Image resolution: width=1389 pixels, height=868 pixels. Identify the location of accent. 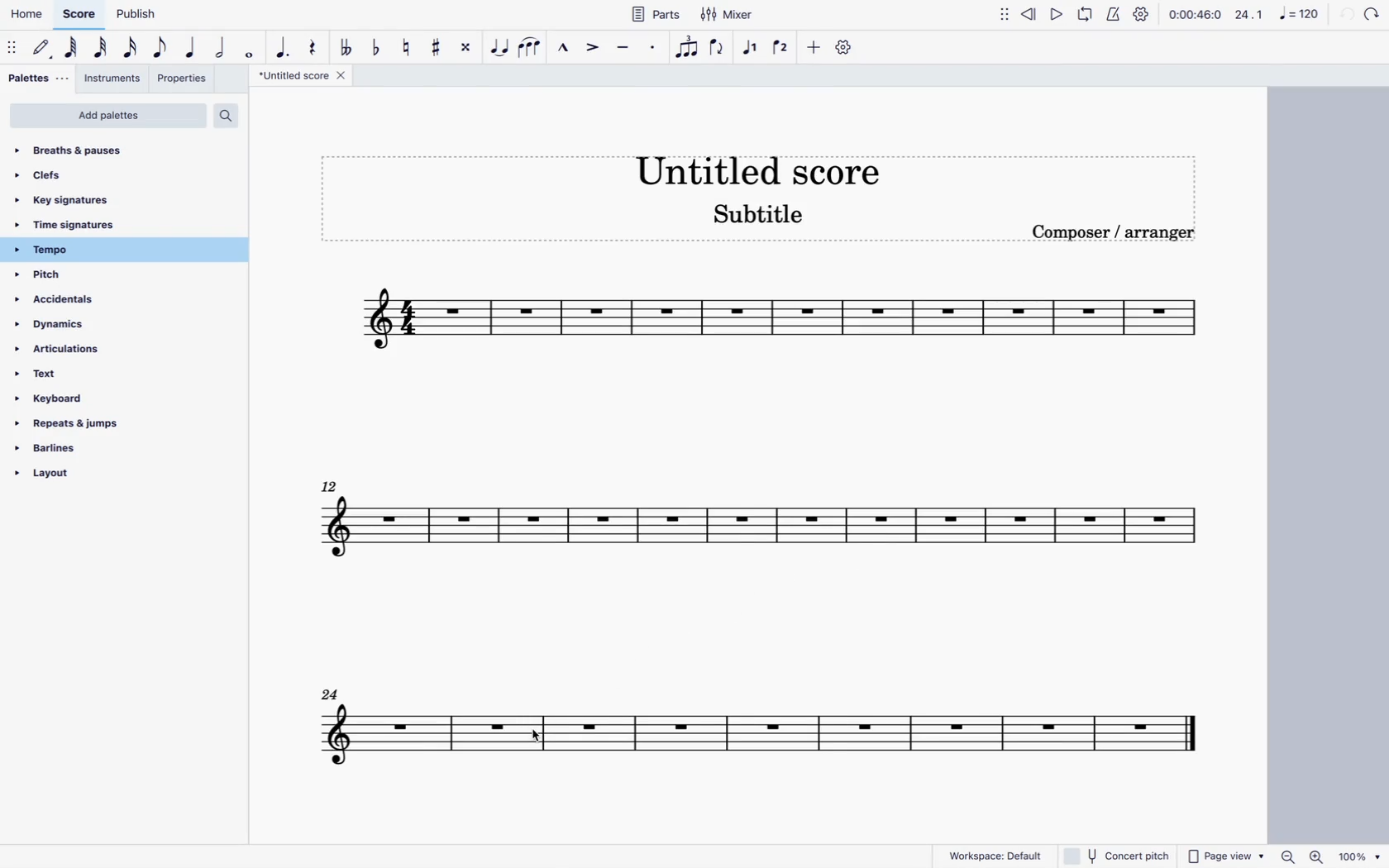
(594, 48).